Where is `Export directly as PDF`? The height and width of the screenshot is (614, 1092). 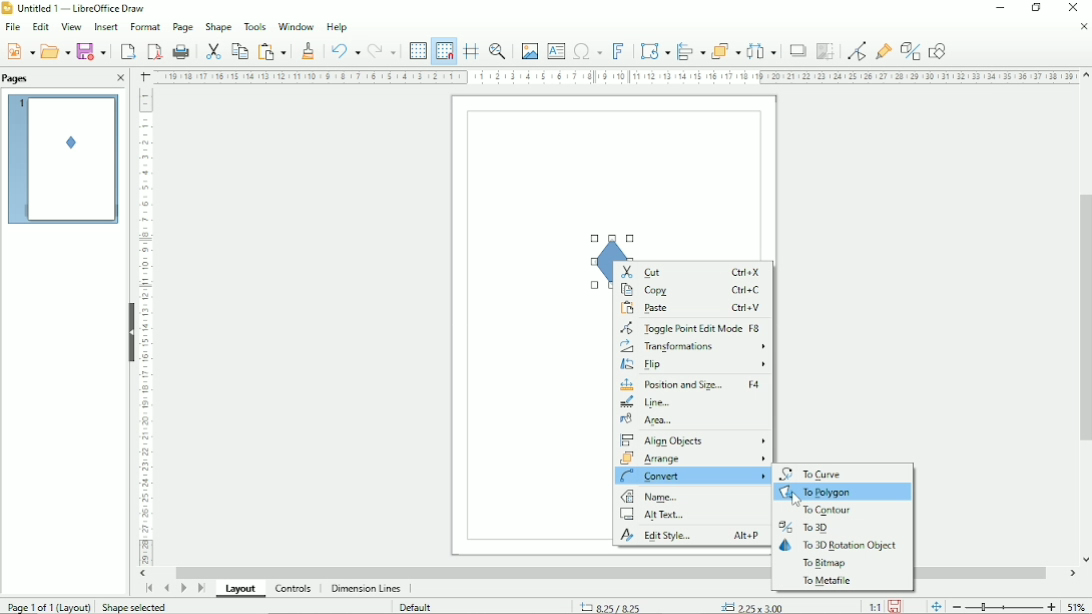
Export directly as PDF is located at coordinates (152, 50).